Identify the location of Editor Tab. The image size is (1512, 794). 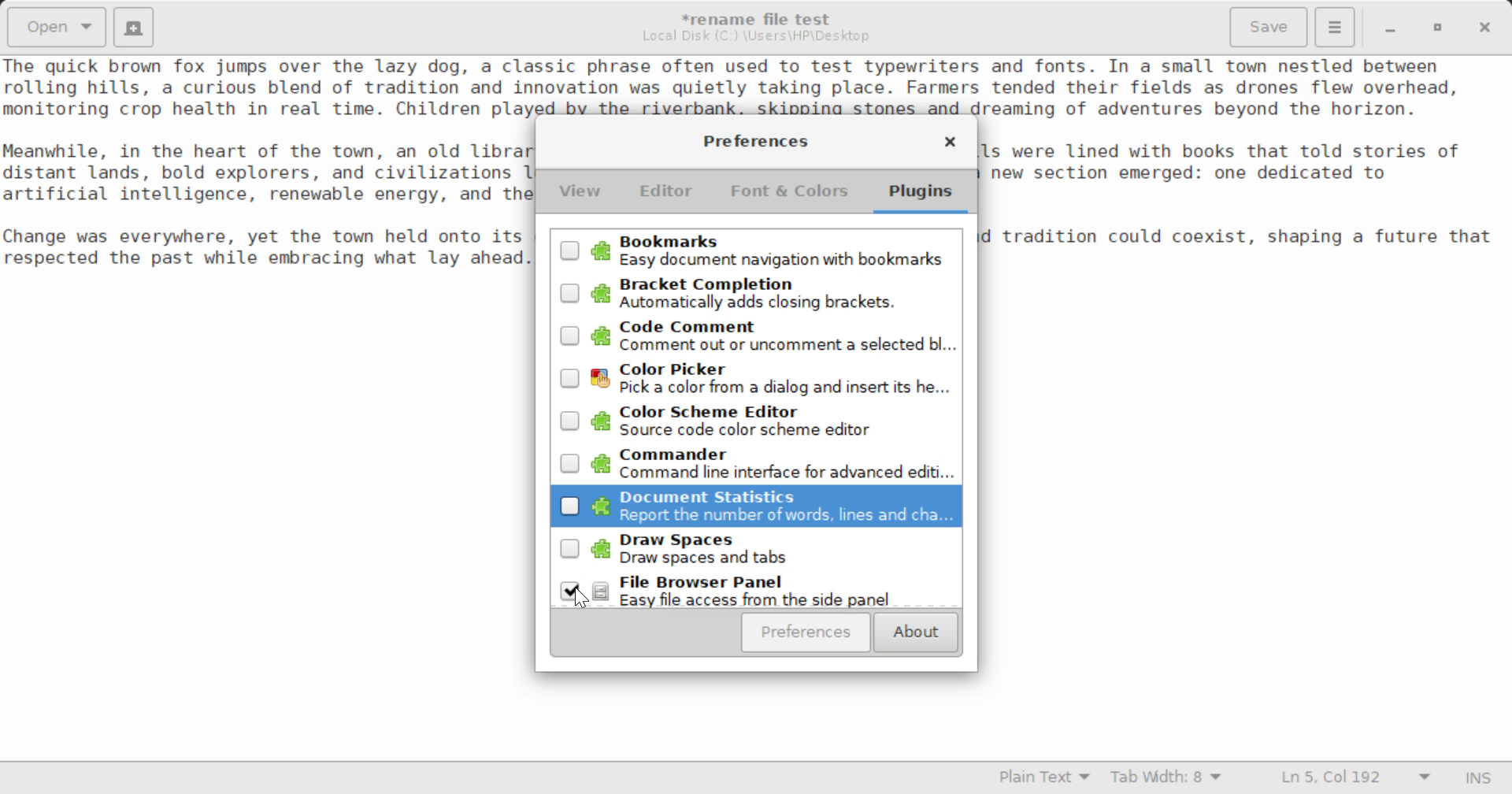
(669, 195).